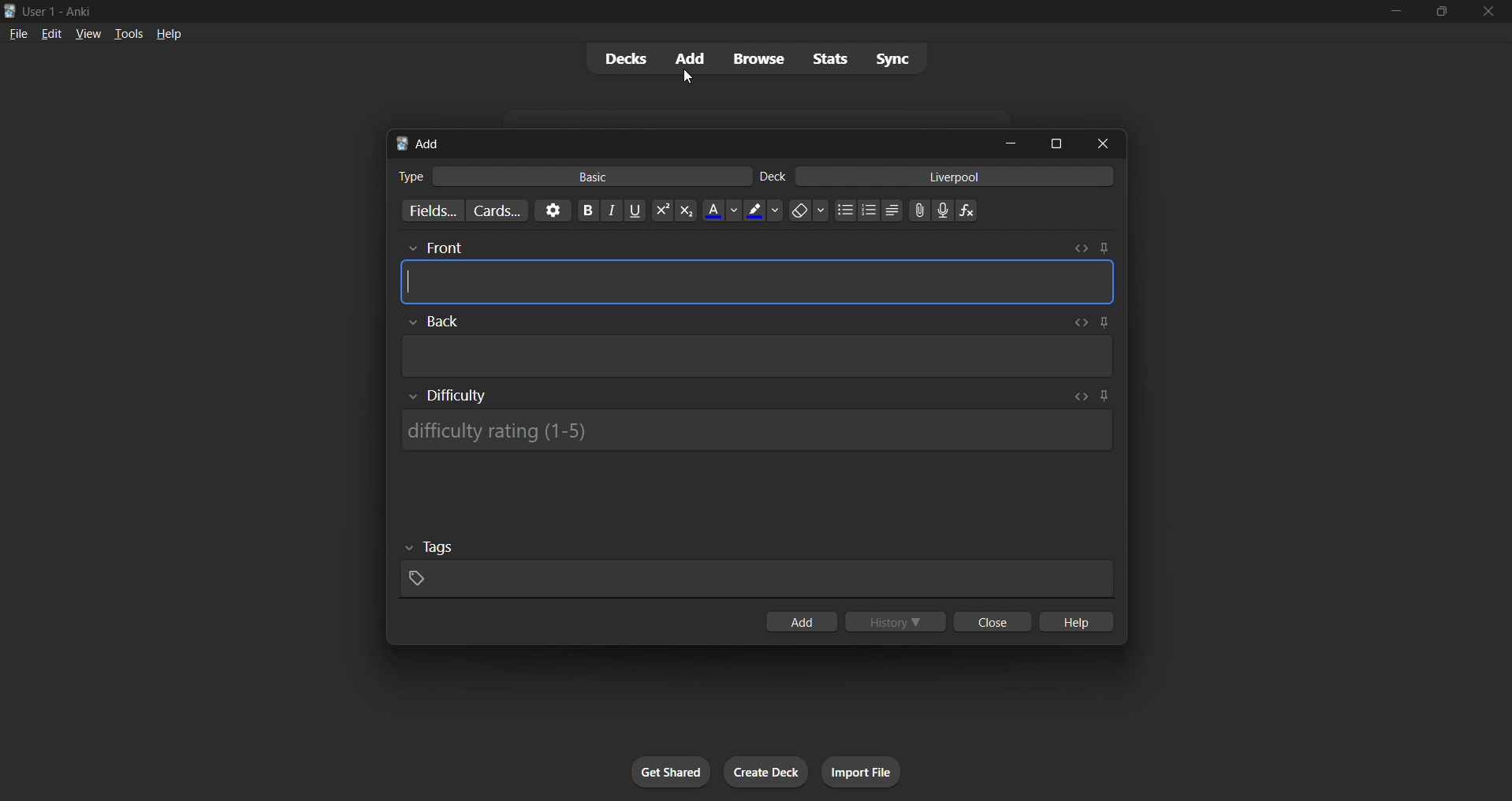  What do you see at coordinates (171, 32) in the screenshot?
I see `help` at bounding box center [171, 32].